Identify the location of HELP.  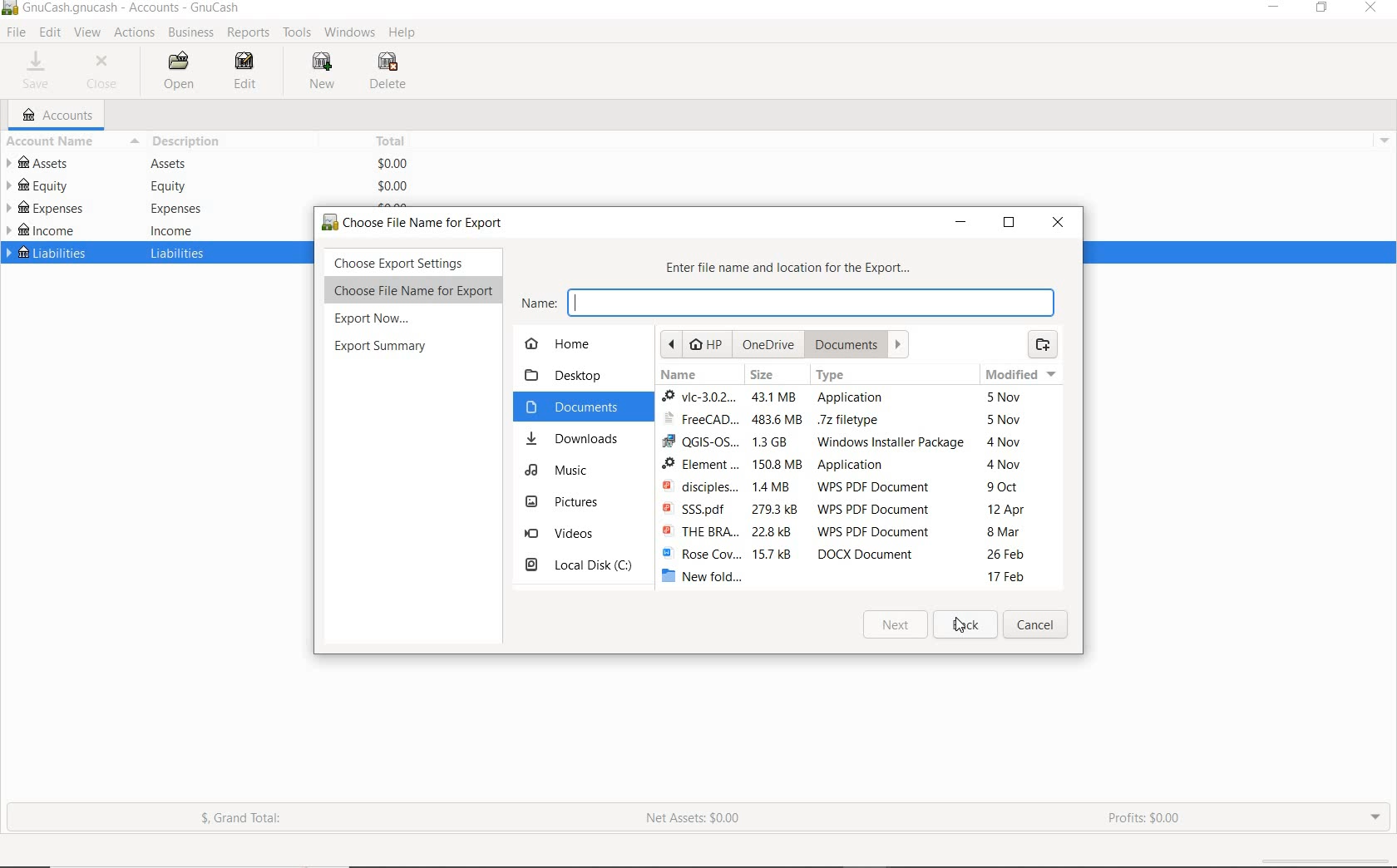
(402, 33).